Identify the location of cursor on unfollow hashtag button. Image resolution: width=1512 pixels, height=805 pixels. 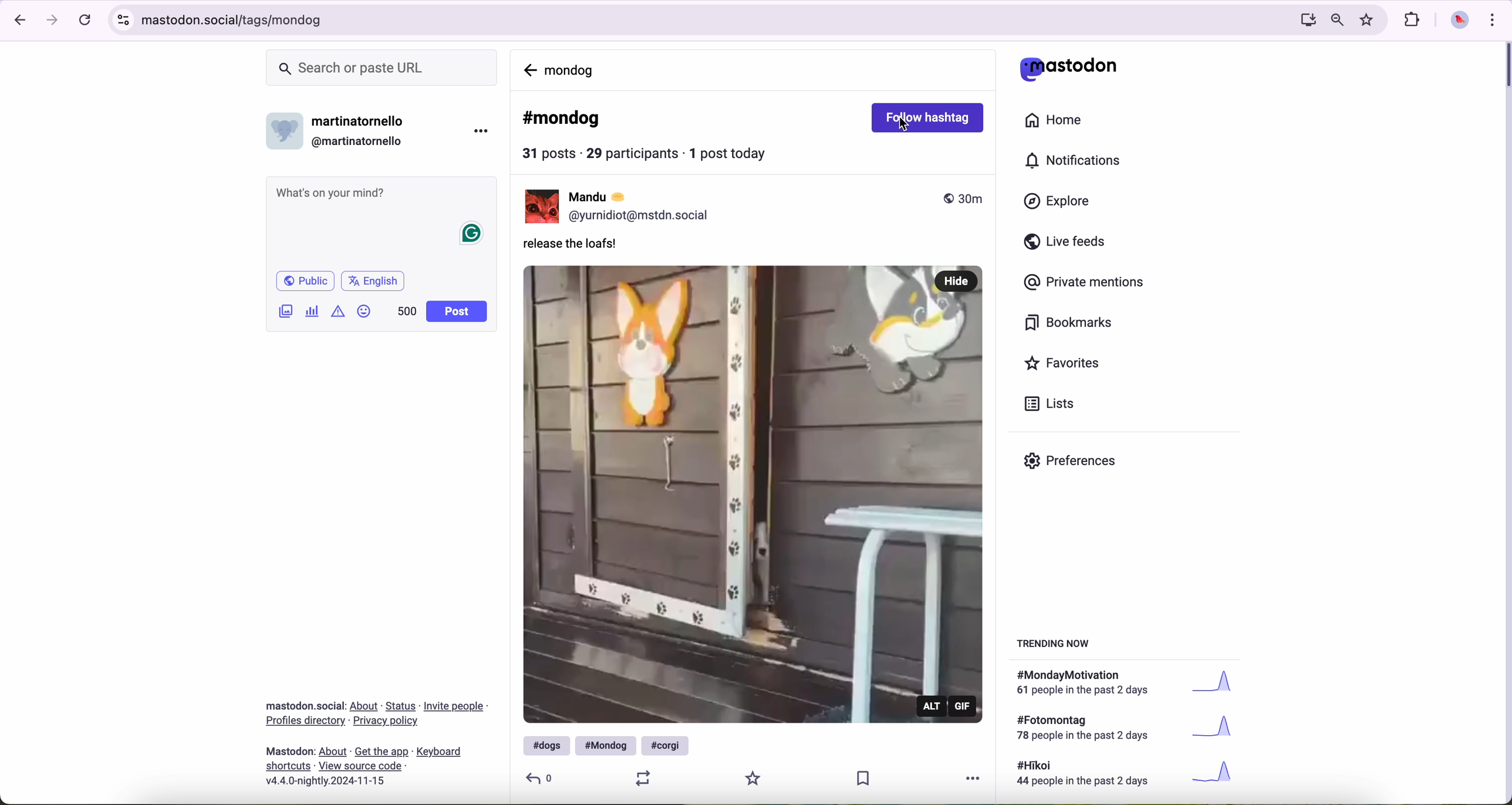
(925, 116).